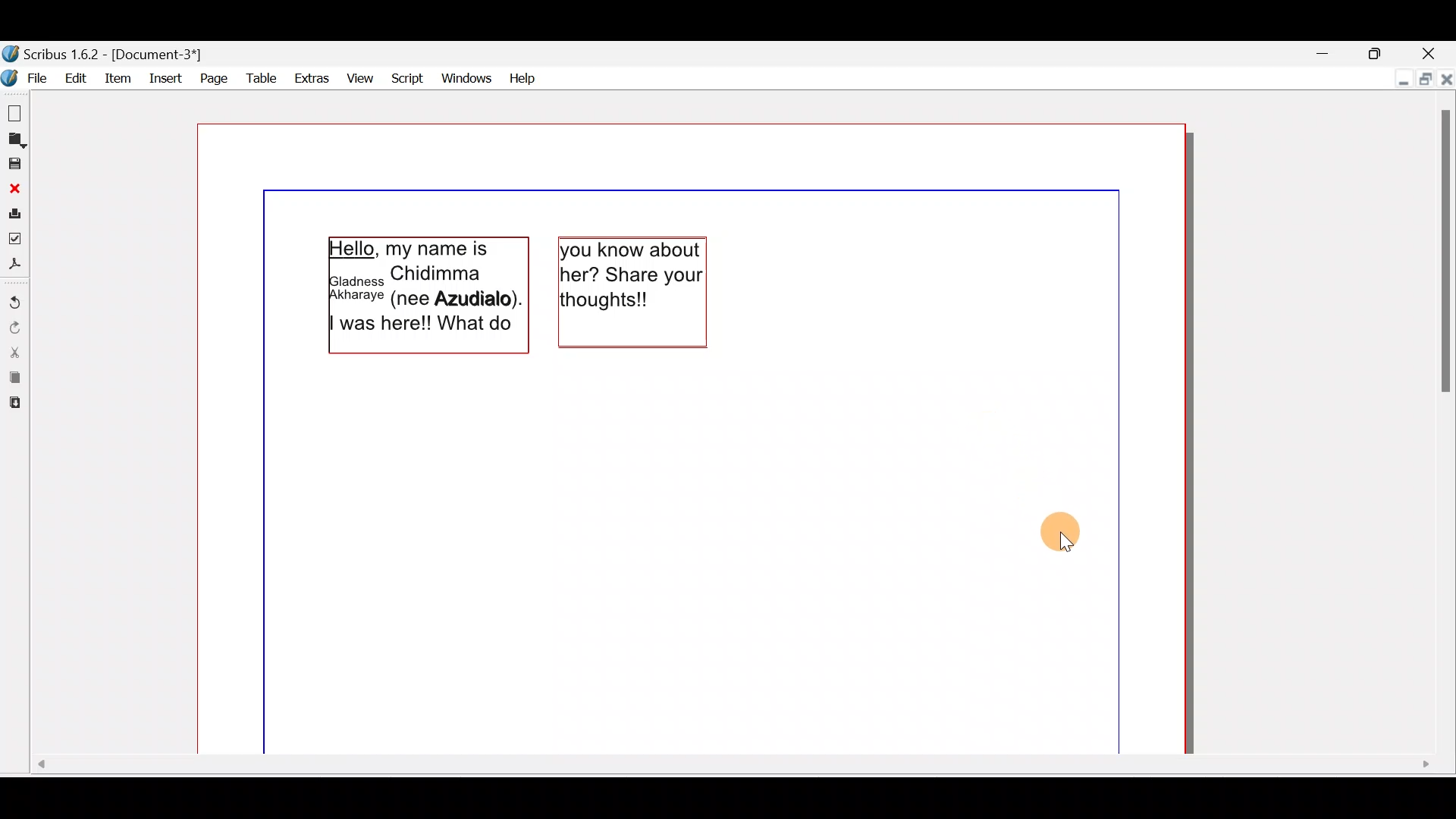 Image resolution: width=1456 pixels, height=819 pixels. What do you see at coordinates (15, 237) in the screenshot?
I see `Preflight verifier` at bounding box center [15, 237].